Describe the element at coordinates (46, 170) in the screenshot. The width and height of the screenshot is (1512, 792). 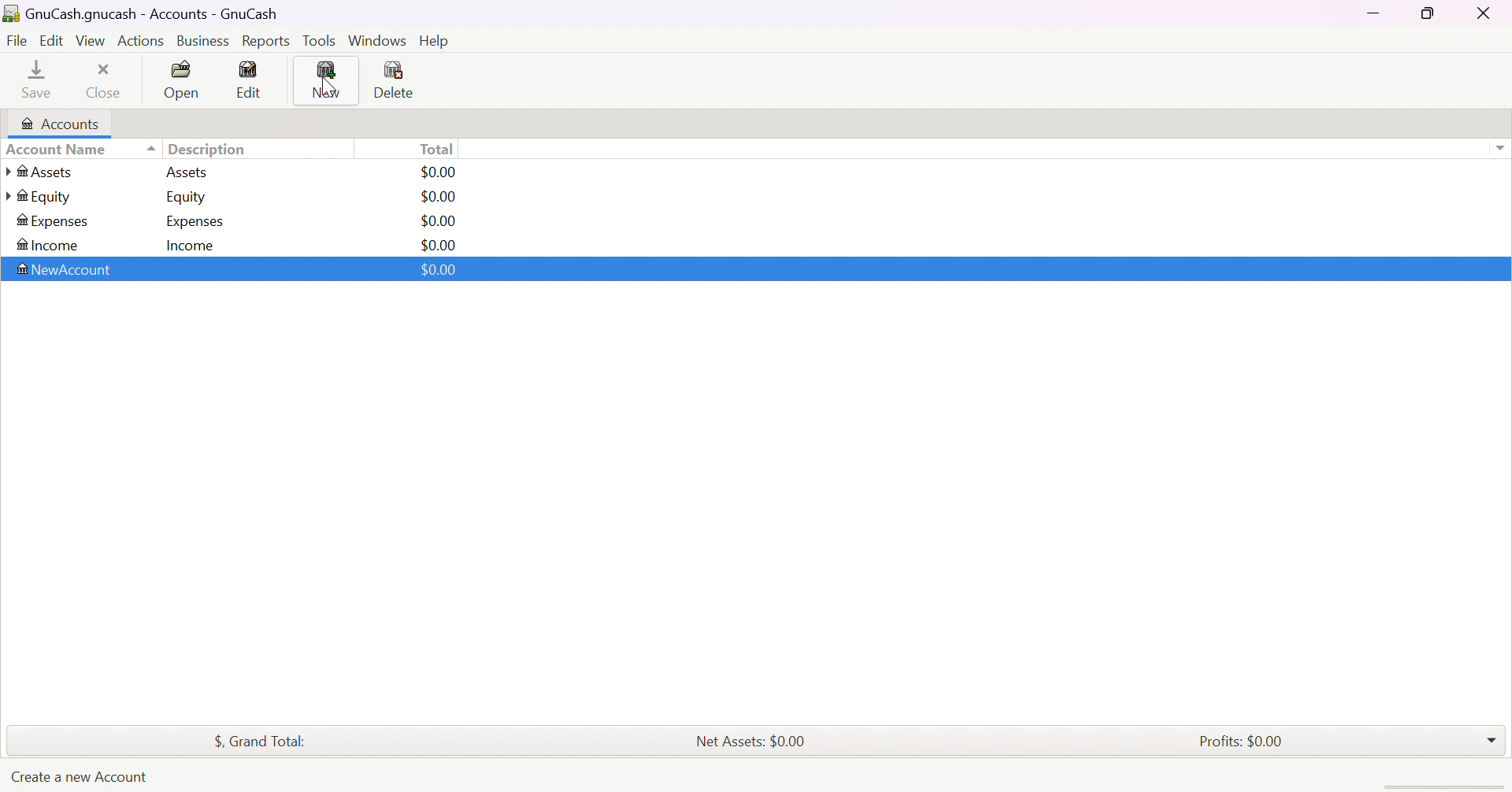
I see `Assets` at that location.